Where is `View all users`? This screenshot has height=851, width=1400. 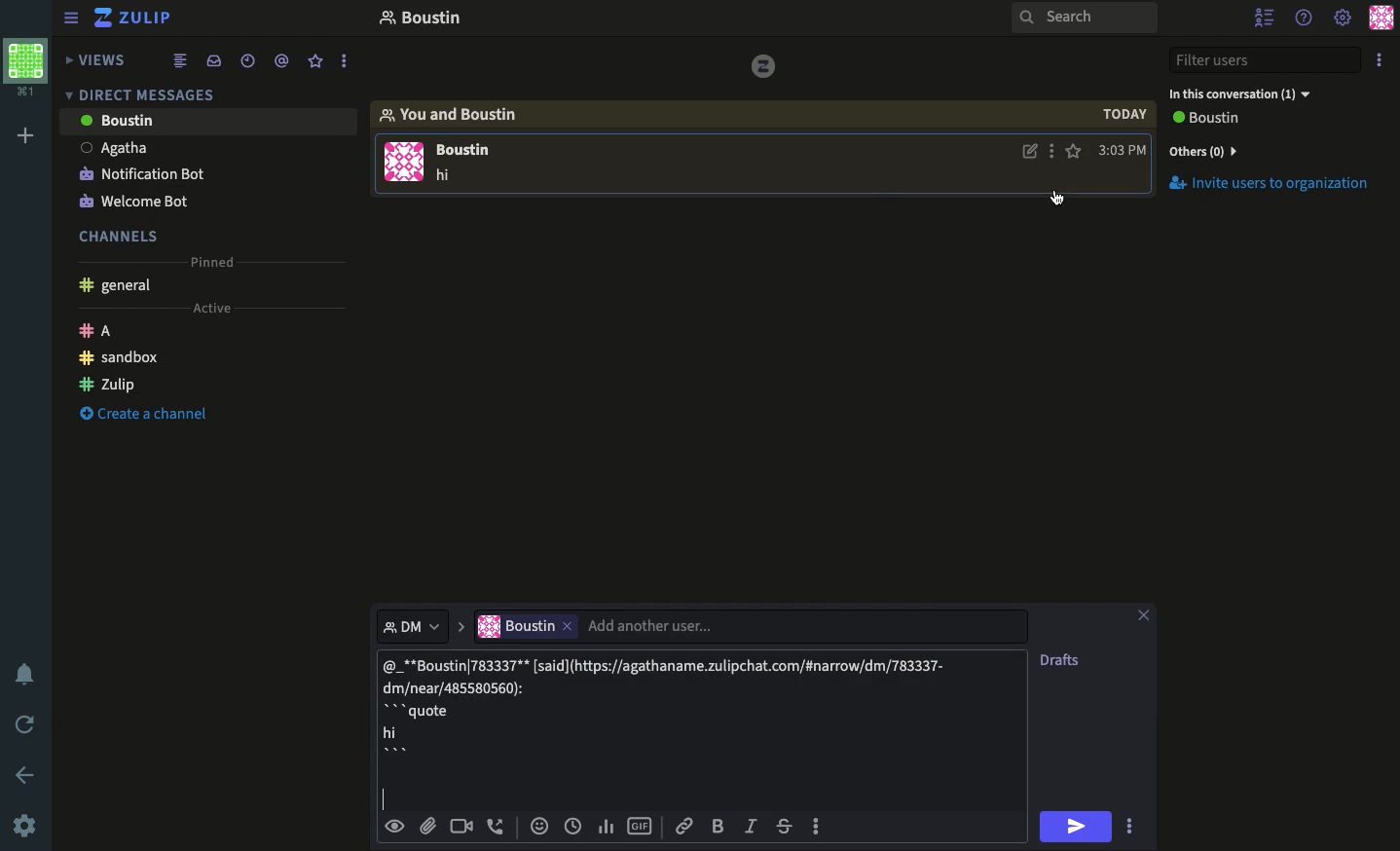 View all users is located at coordinates (1217, 120).